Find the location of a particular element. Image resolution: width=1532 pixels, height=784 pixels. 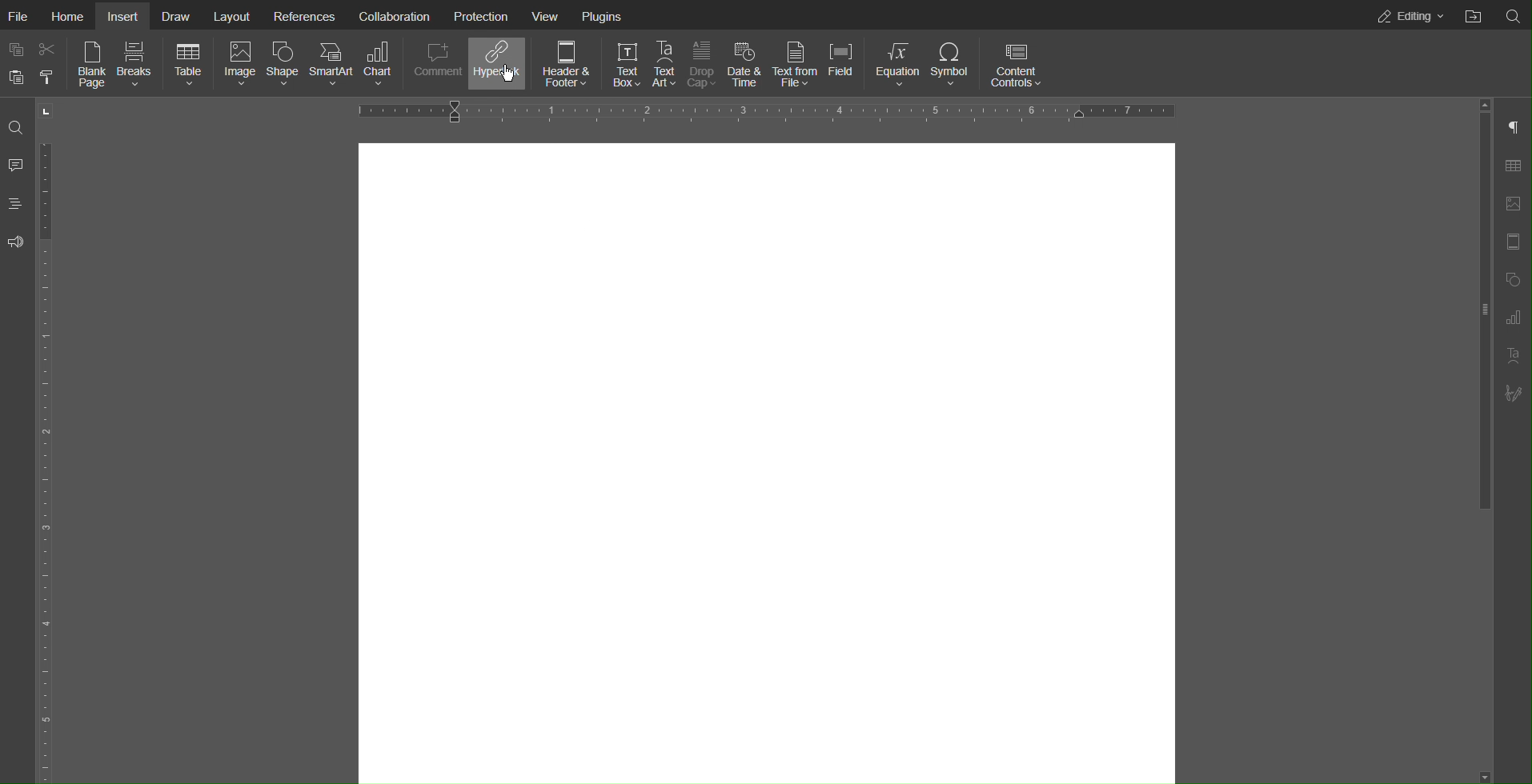

Search is located at coordinates (1514, 16).